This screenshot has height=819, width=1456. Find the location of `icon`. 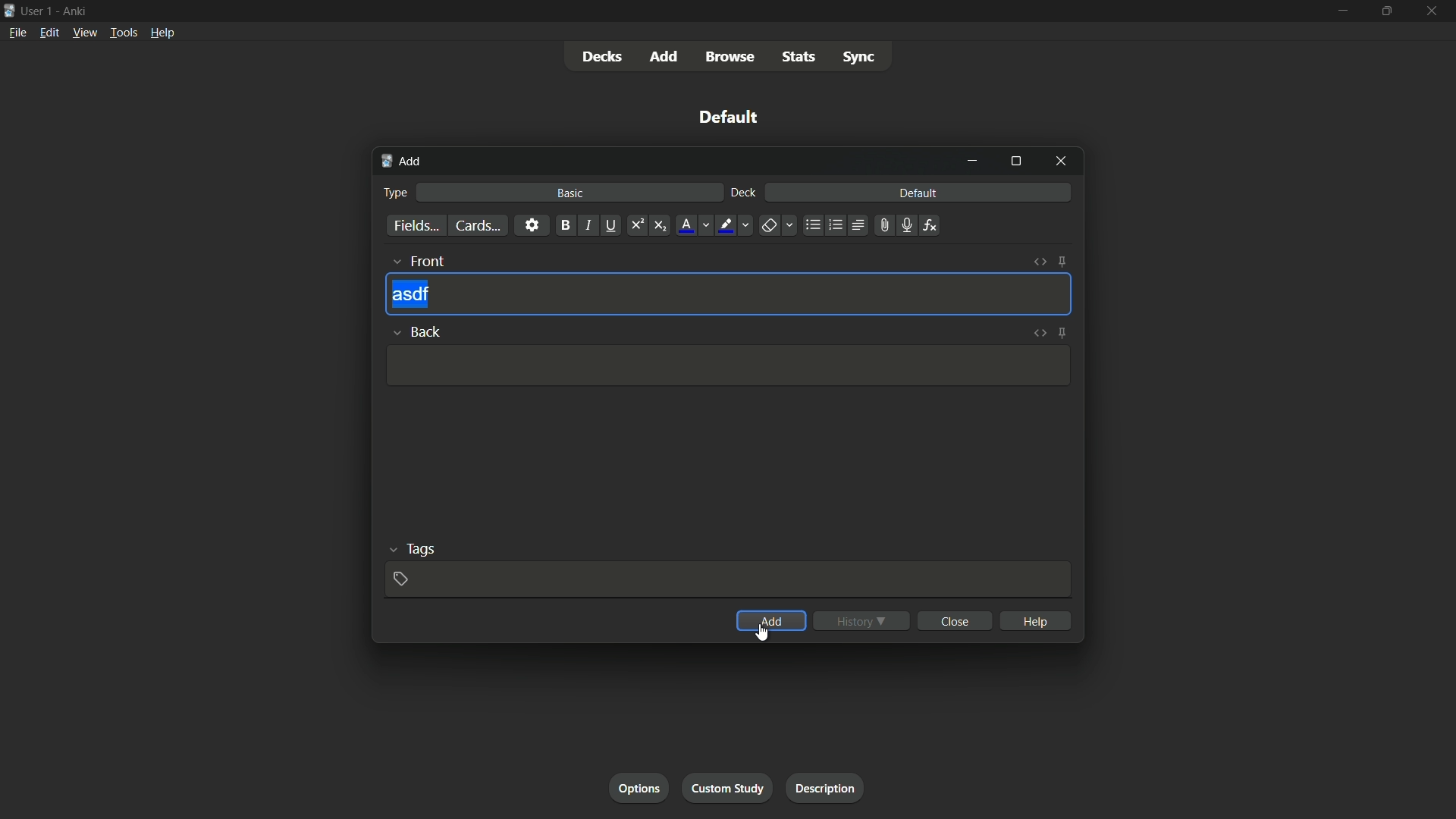

icon is located at coordinates (9, 9).